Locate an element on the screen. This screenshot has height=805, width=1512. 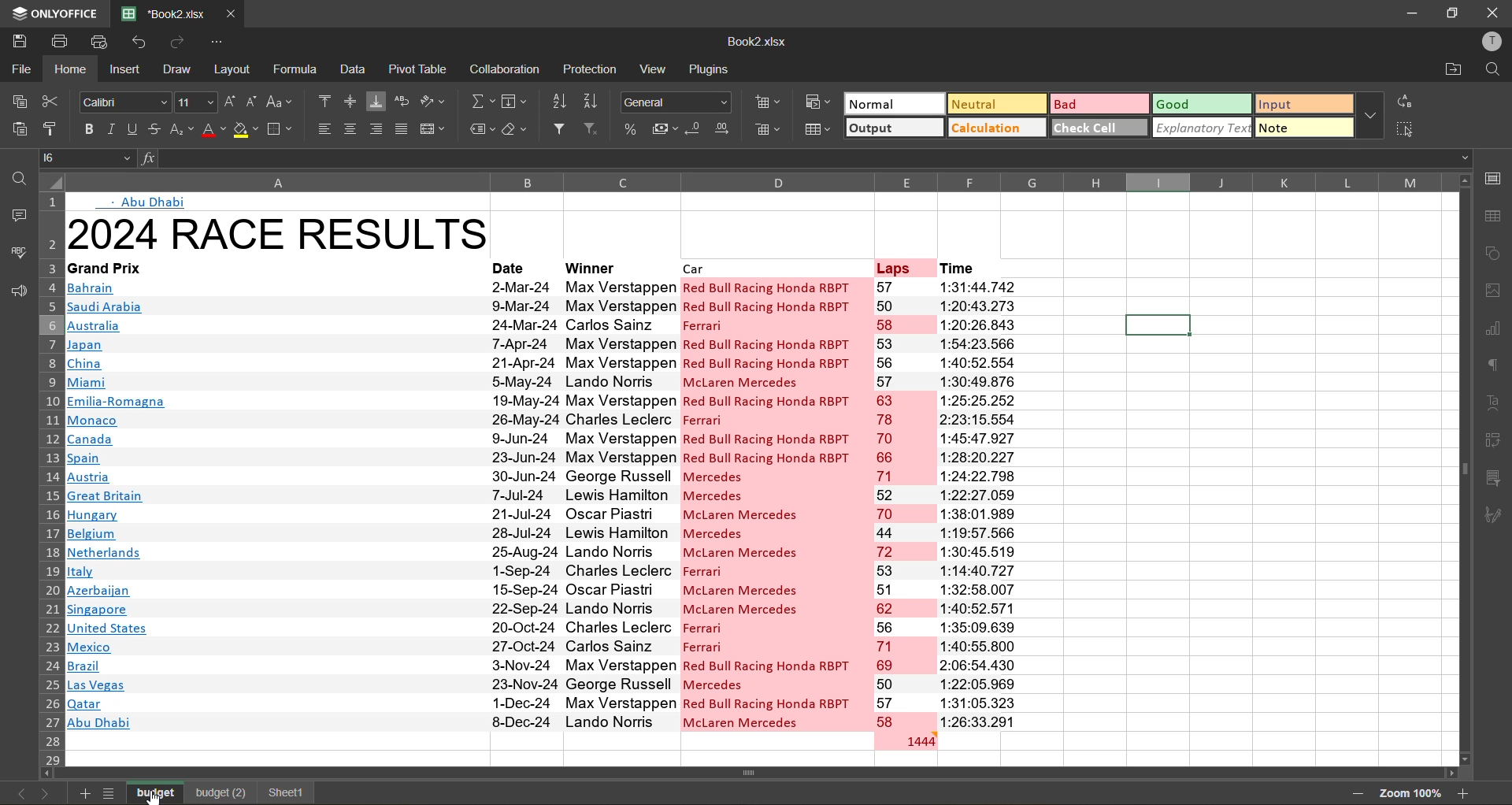
table is located at coordinates (1497, 216).